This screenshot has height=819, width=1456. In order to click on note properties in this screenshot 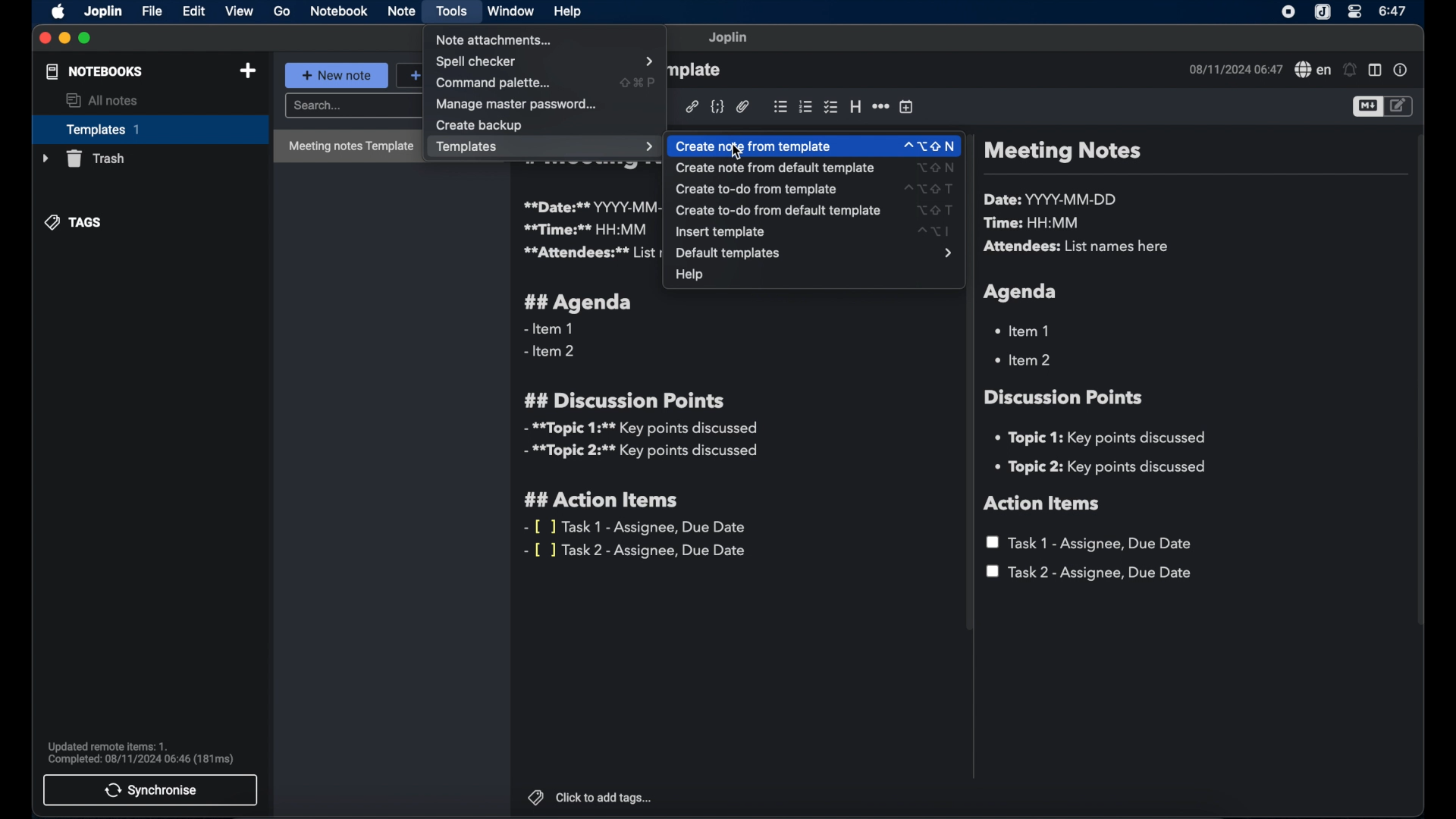, I will do `click(1402, 71)`.